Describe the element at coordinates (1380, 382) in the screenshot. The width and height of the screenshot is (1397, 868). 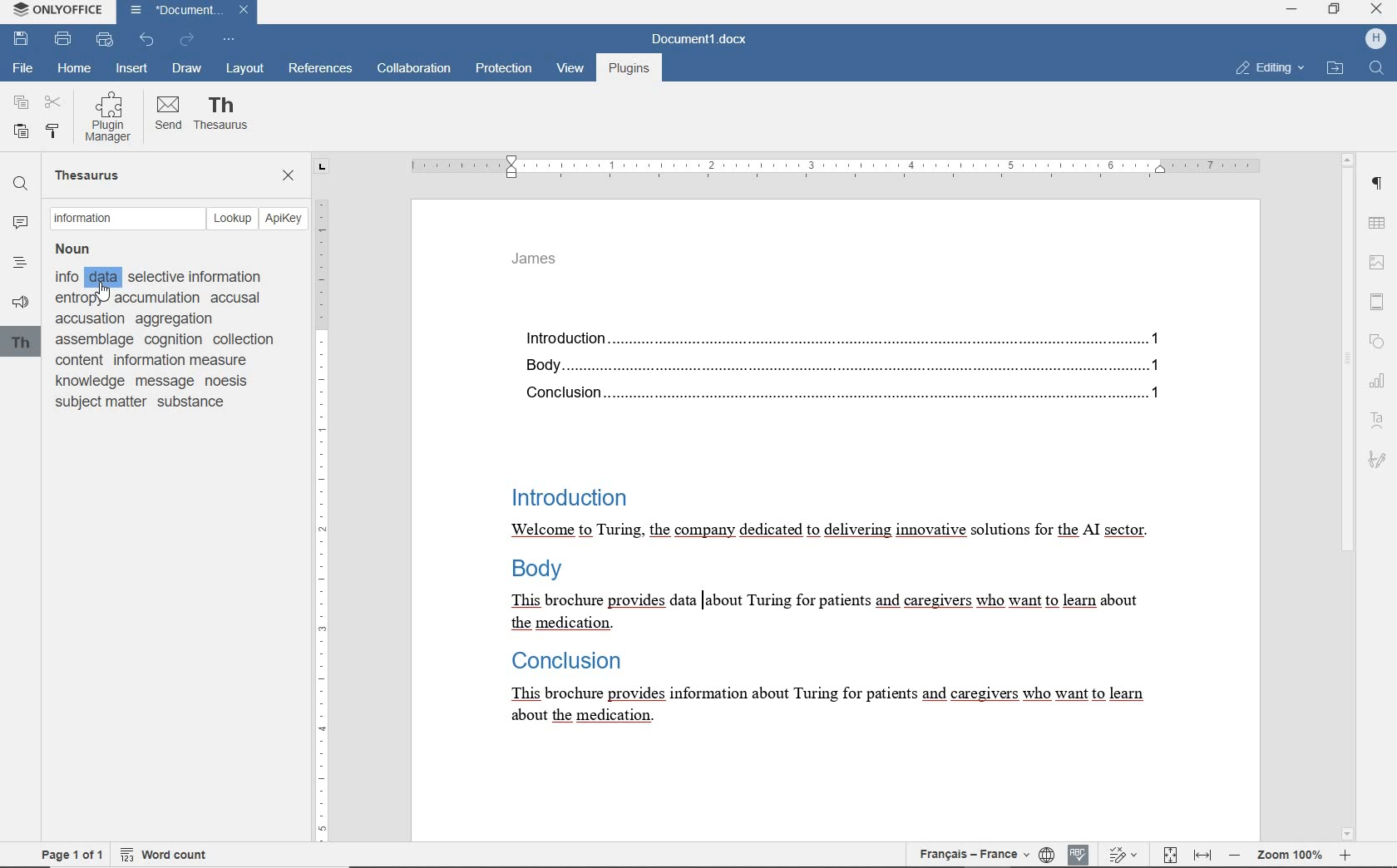
I see `CHART` at that location.